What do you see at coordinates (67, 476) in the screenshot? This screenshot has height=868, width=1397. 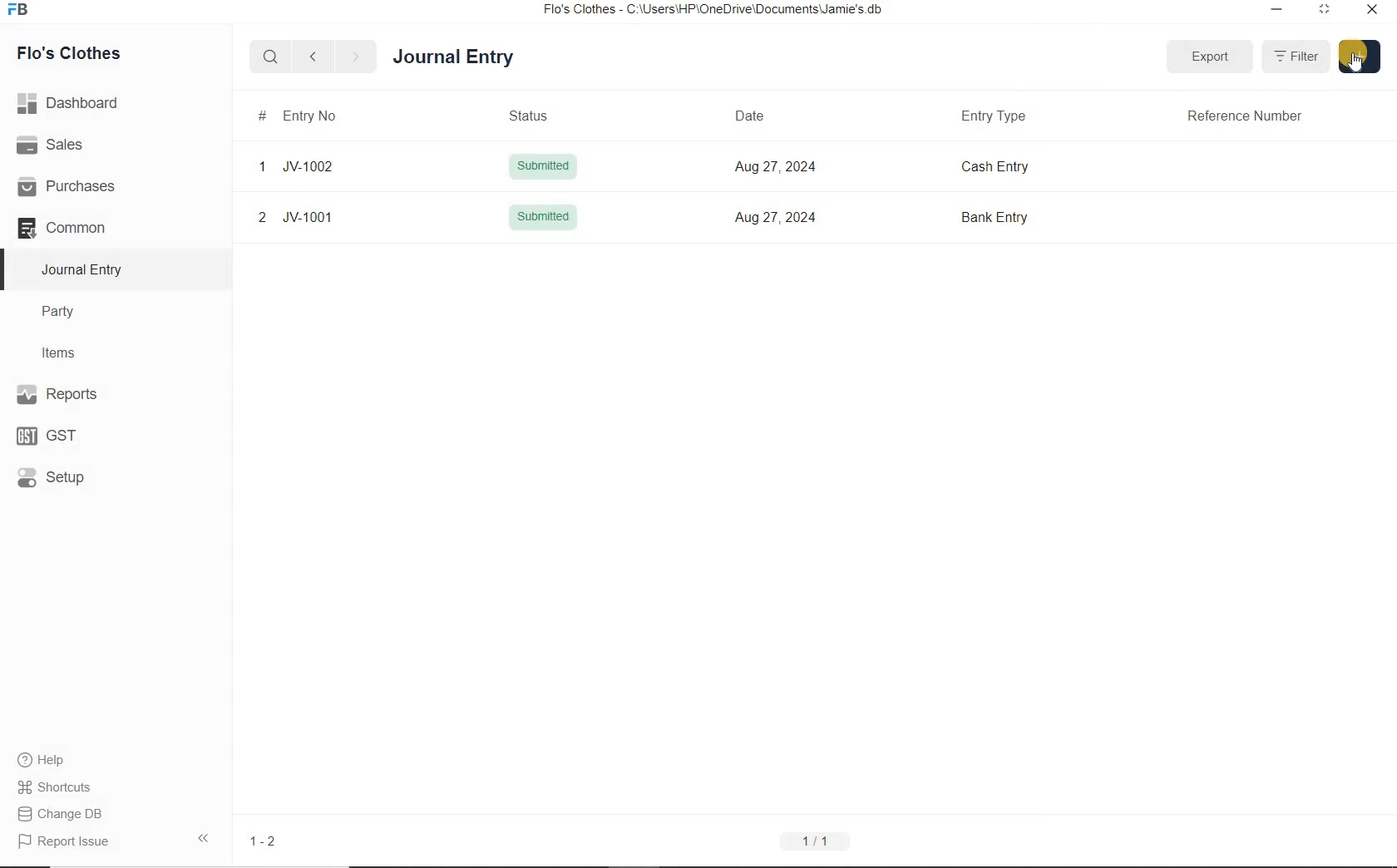 I see `Setup` at bounding box center [67, 476].